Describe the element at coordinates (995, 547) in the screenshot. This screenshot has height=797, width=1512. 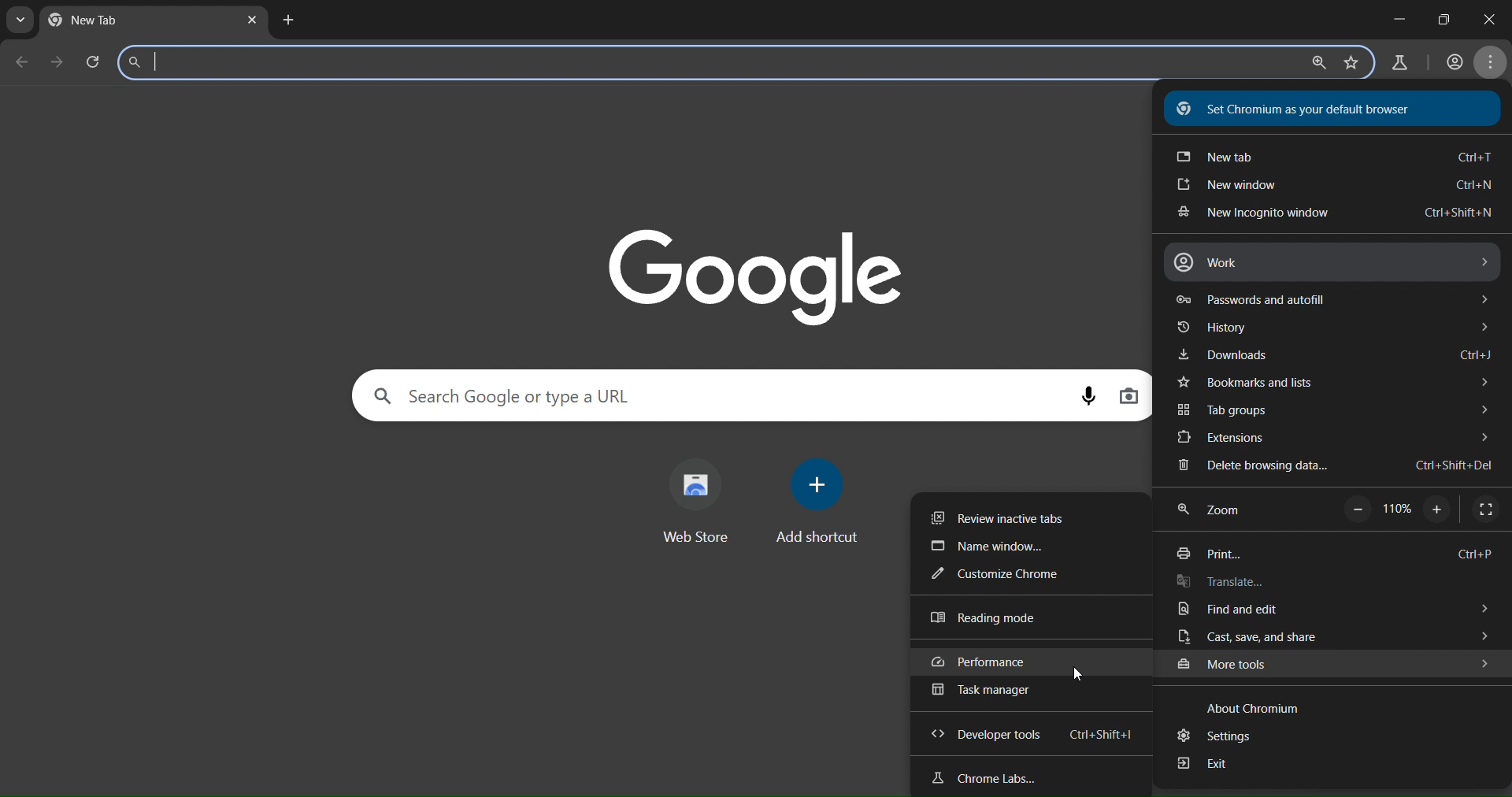
I see `name window` at that location.